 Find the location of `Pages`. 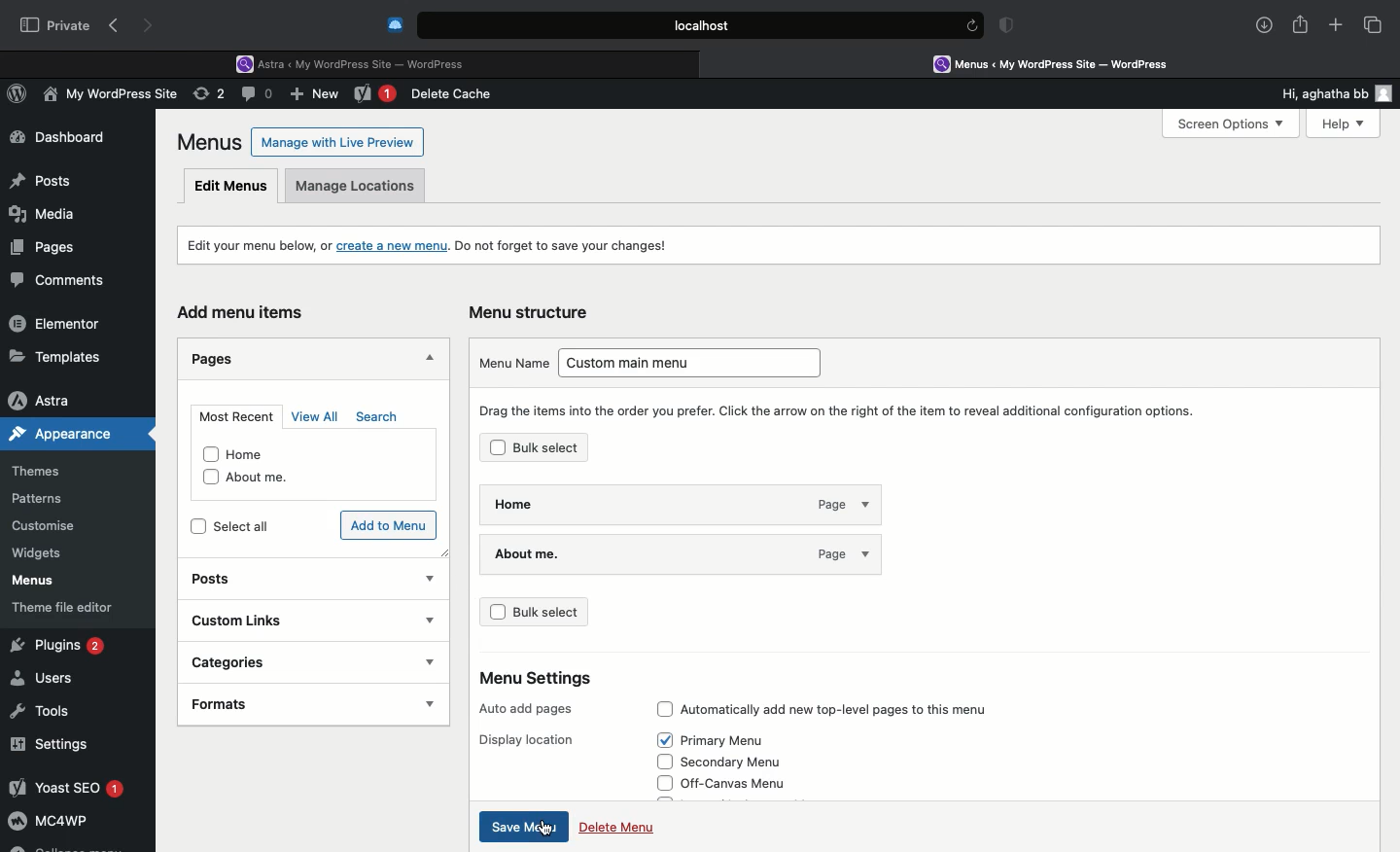

Pages is located at coordinates (39, 246).